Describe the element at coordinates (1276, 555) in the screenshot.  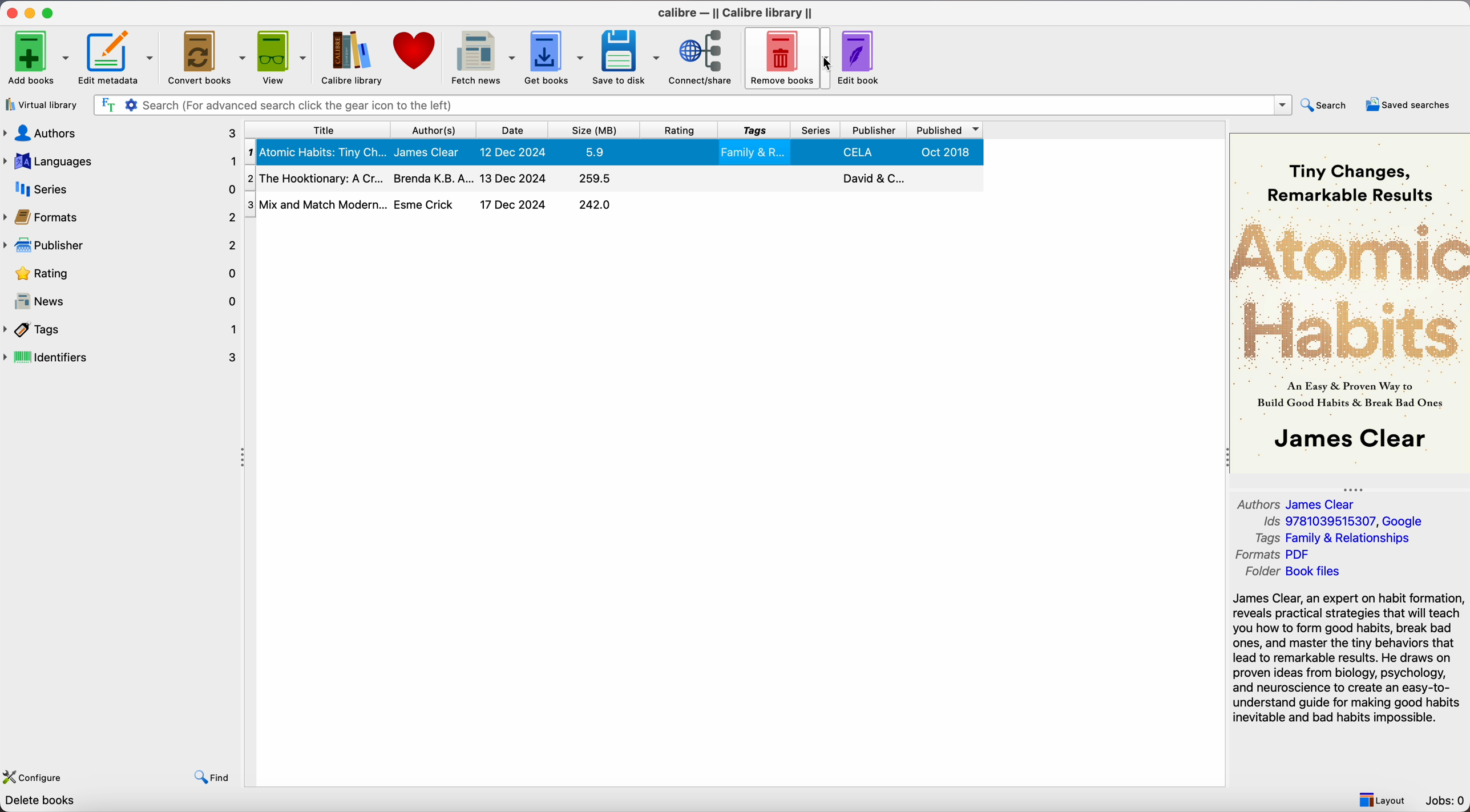
I see `Formats PDF` at that location.